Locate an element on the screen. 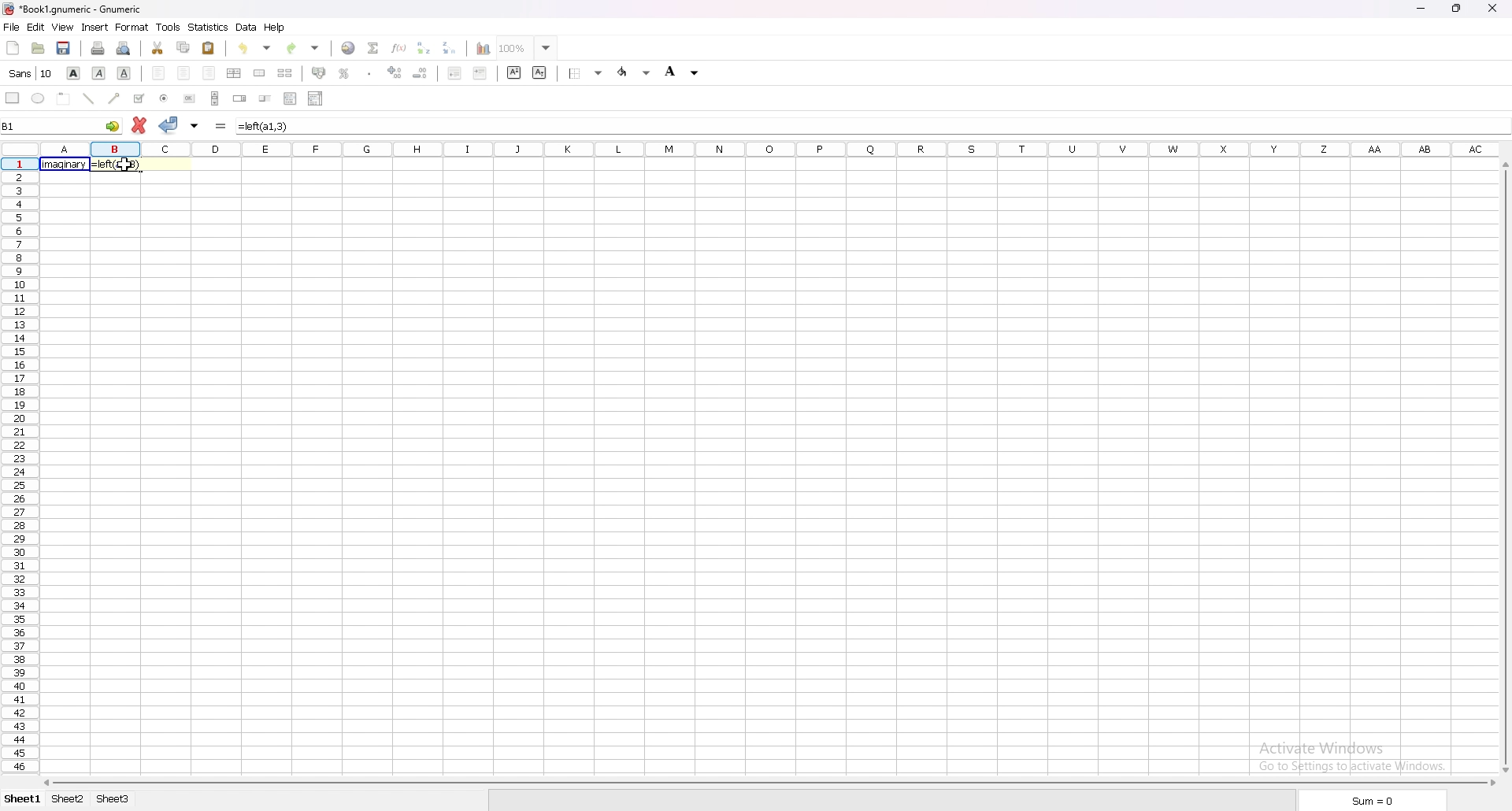 The height and width of the screenshot is (811, 1512). bold is located at coordinates (75, 72).